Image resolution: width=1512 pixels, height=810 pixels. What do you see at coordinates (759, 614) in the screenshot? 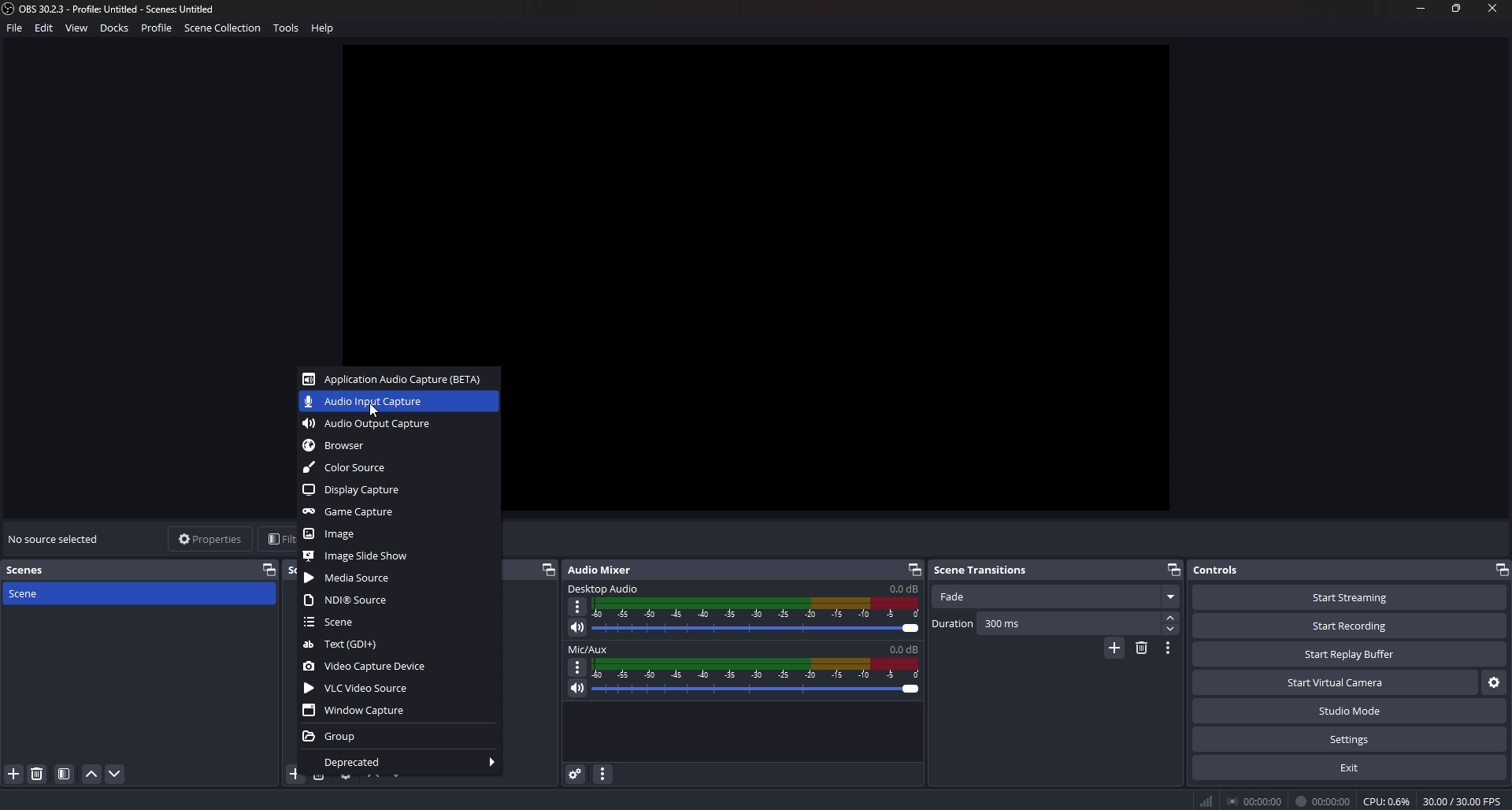
I see `volume adjust` at bounding box center [759, 614].